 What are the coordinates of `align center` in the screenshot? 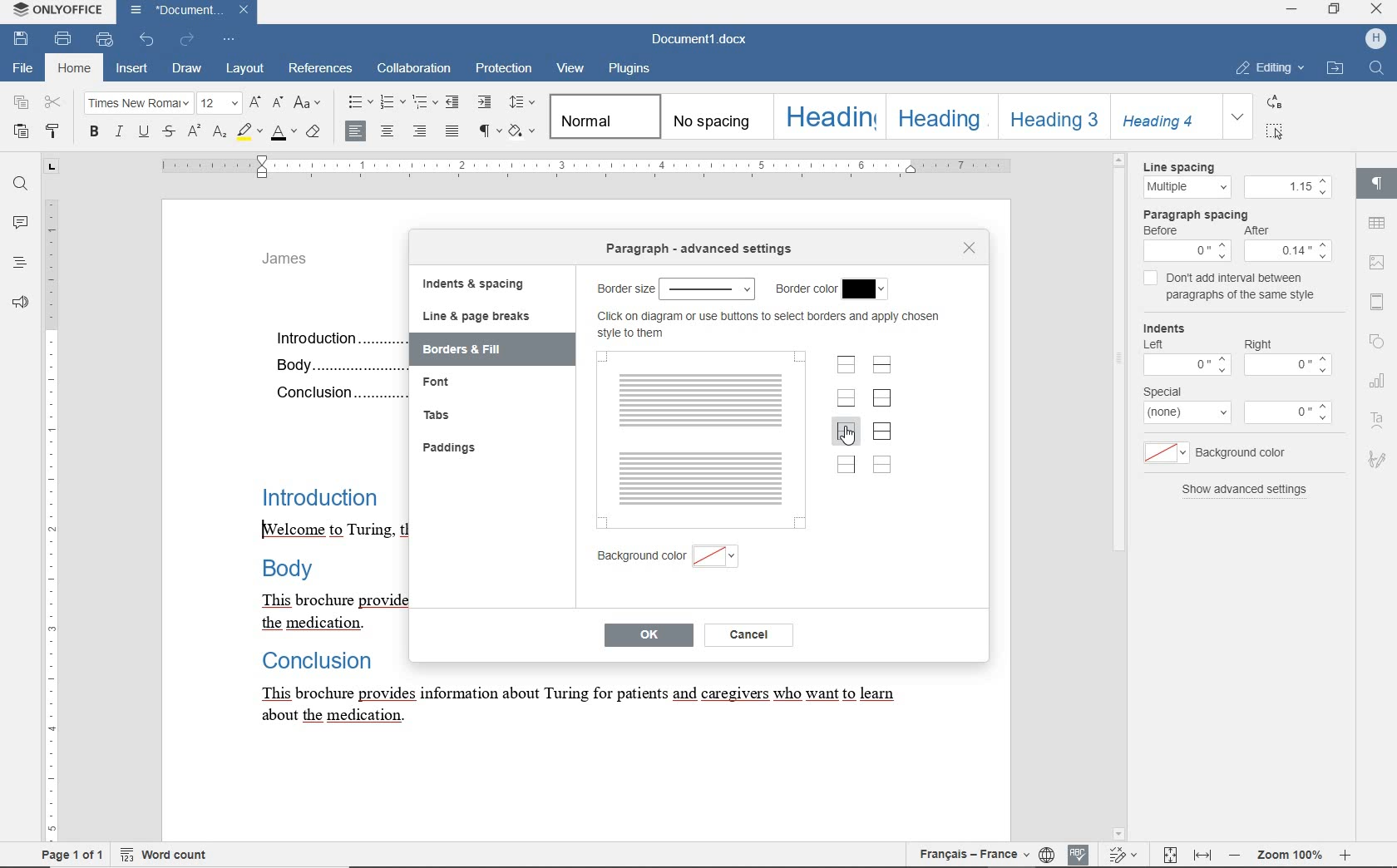 It's located at (353, 130).